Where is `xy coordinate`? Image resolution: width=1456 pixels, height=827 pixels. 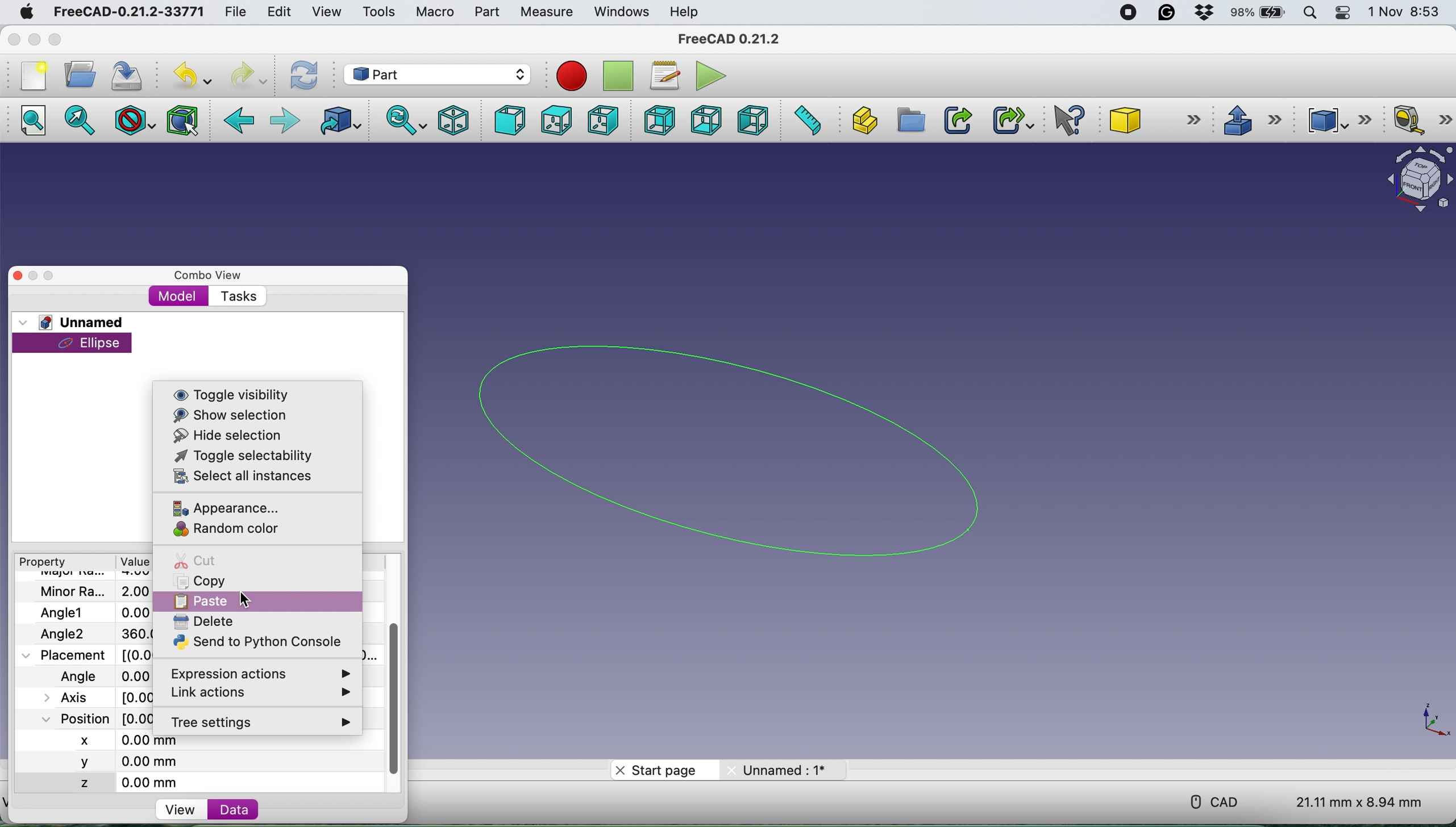 xy coordinate is located at coordinates (1432, 724).